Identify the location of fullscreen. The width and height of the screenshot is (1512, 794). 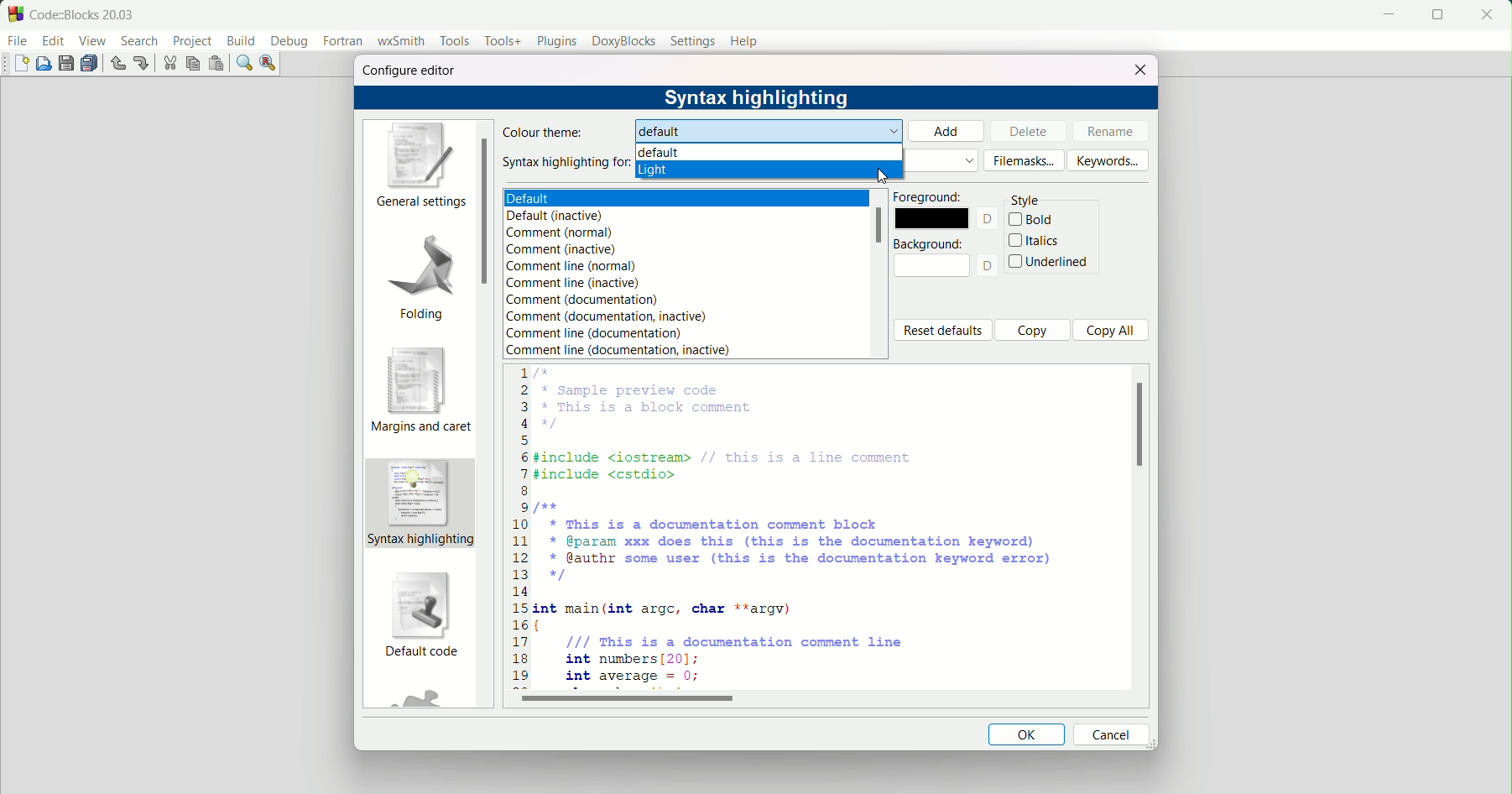
(1437, 15).